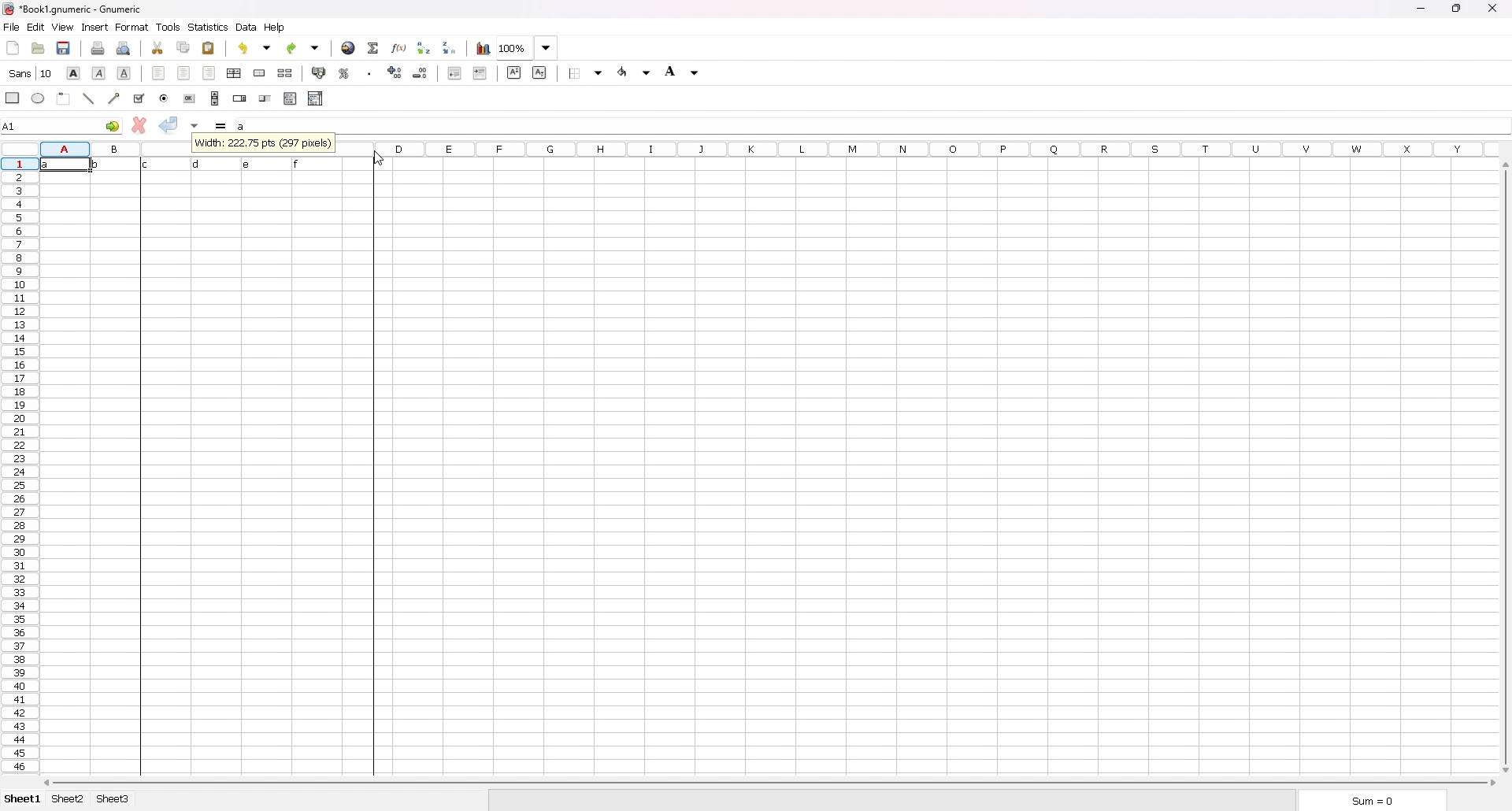 Image resolution: width=1512 pixels, height=811 pixels. What do you see at coordinates (208, 72) in the screenshot?
I see `right align` at bounding box center [208, 72].